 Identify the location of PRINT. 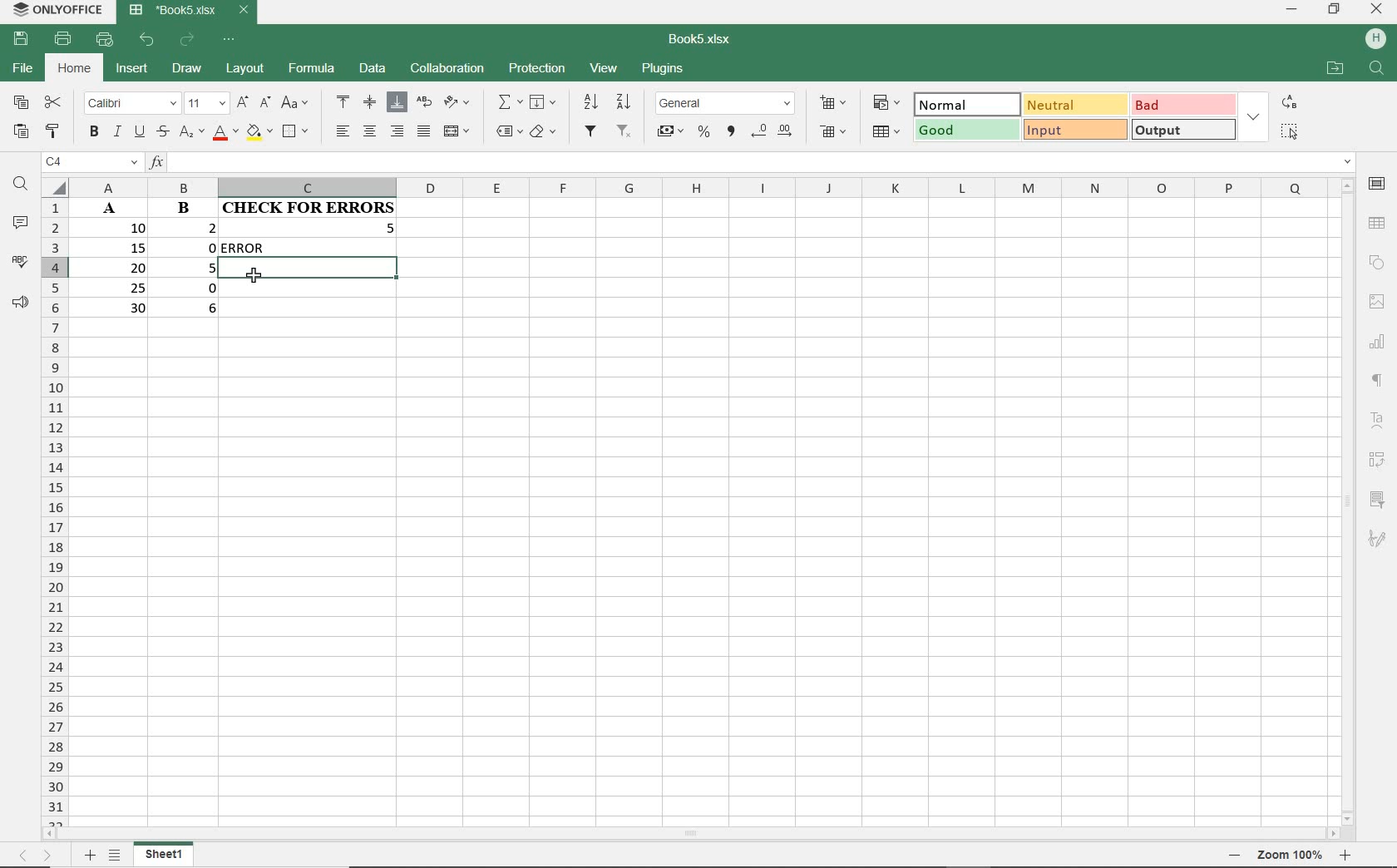
(66, 40).